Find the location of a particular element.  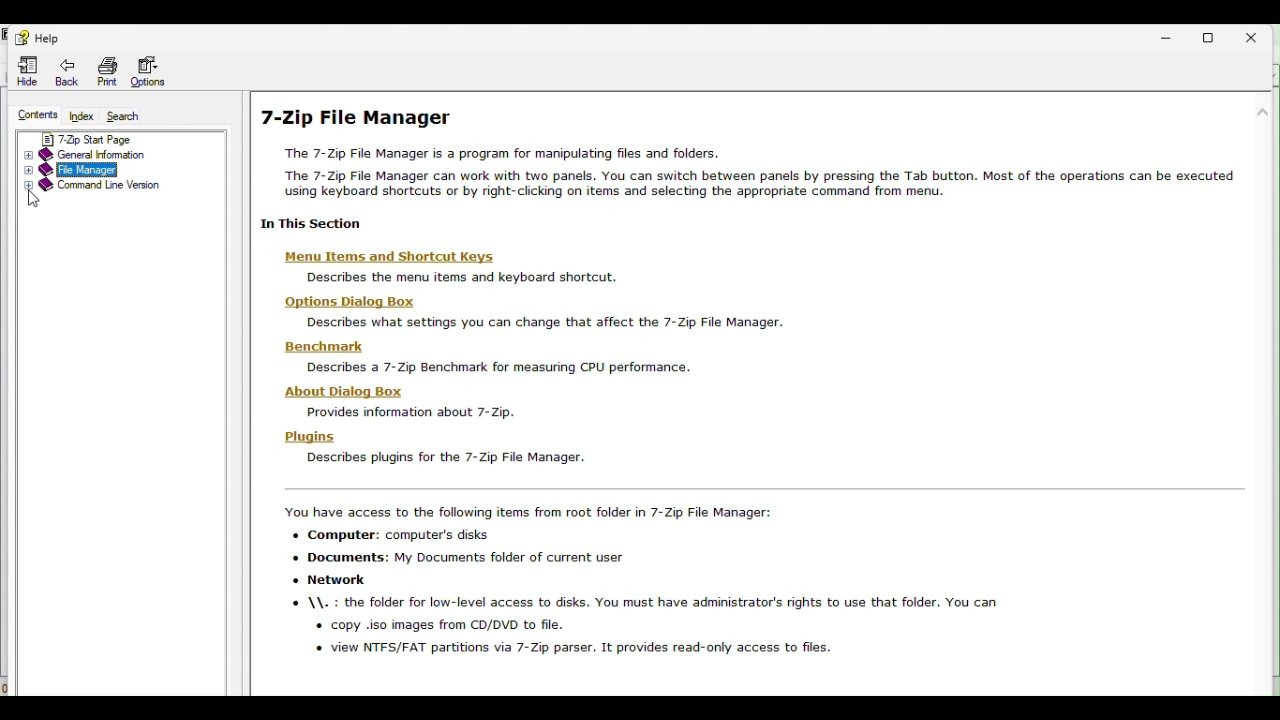

Provides information about 7-Zip. is located at coordinates (406, 413).